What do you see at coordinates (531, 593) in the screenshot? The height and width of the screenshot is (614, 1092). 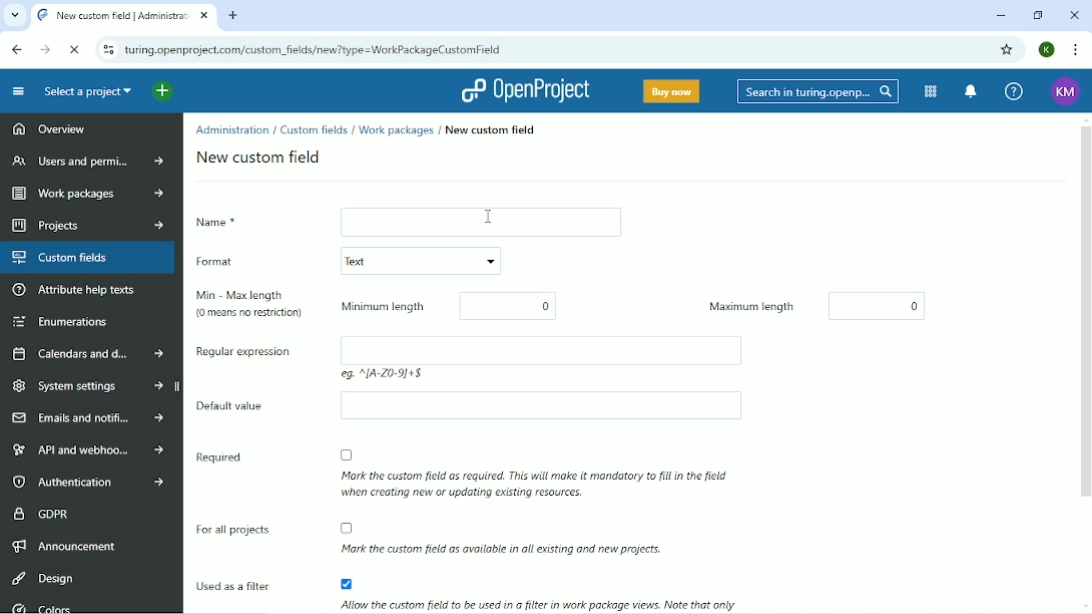 I see `Allow the custom fiels to be used in a filter in work package views. Note that only` at bounding box center [531, 593].